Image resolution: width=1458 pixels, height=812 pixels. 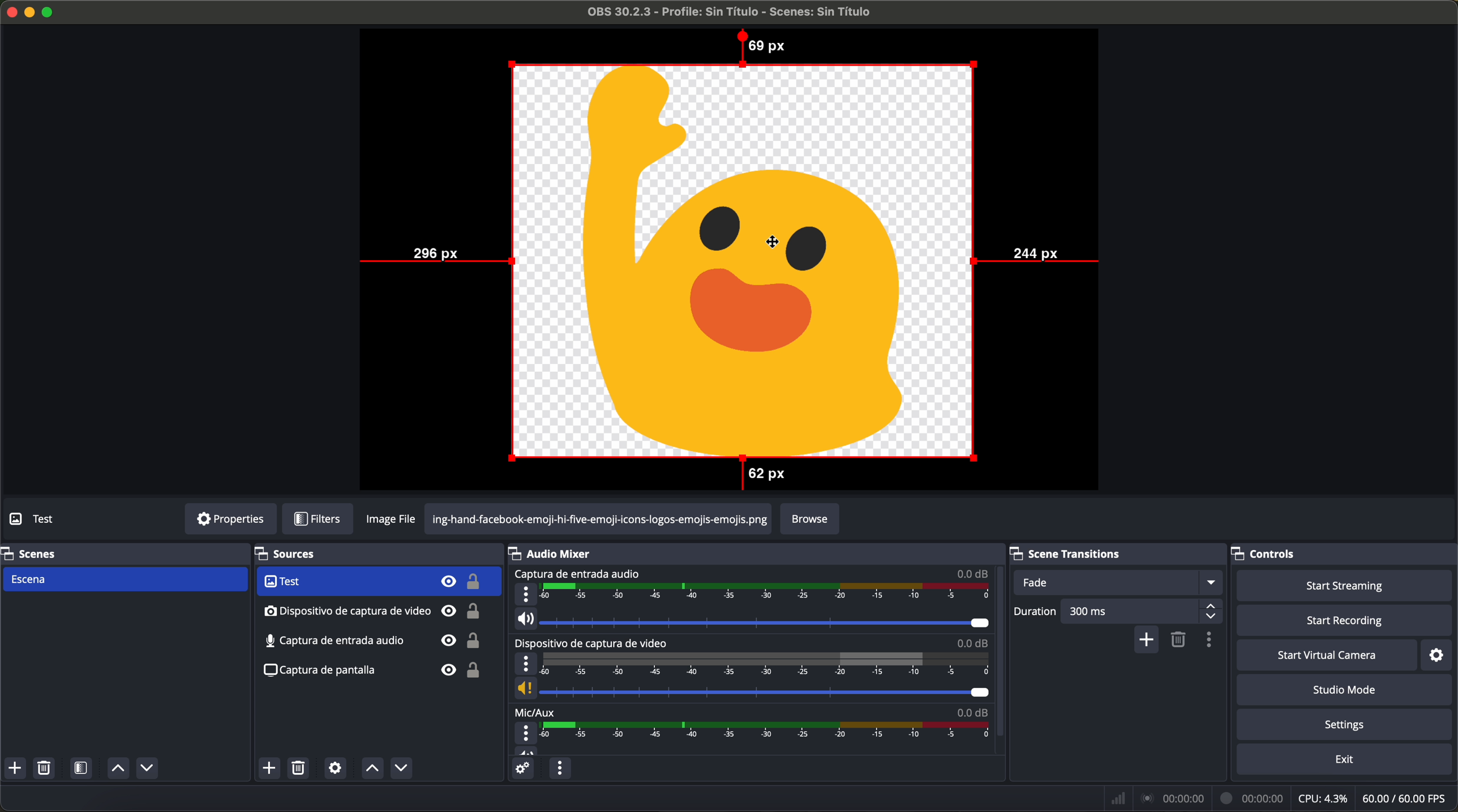 What do you see at coordinates (973, 643) in the screenshot?
I see `0.0 dB` at bounding box center [973, 643].